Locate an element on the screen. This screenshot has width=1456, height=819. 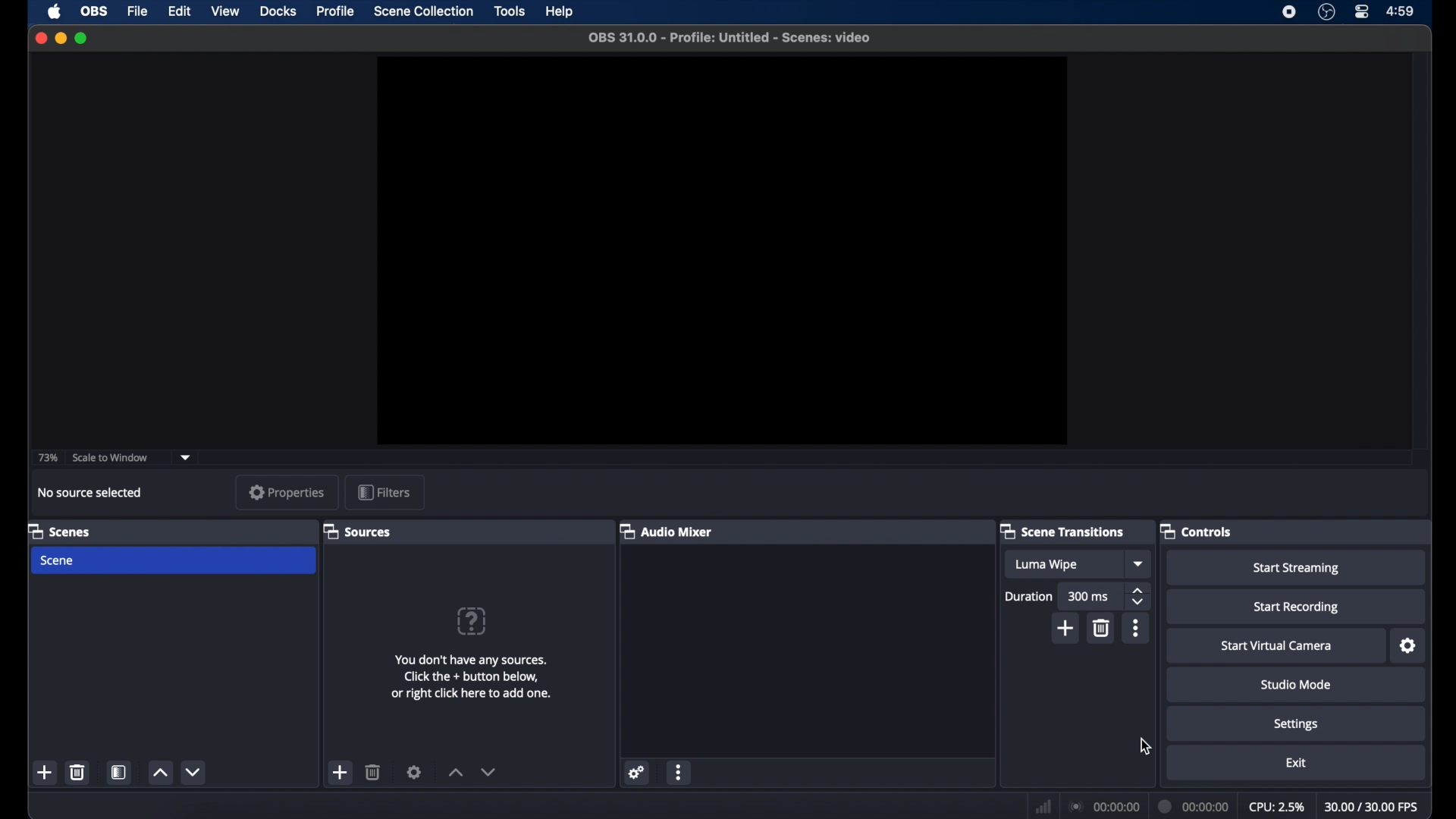
profile is located at coordinates (337, 11).